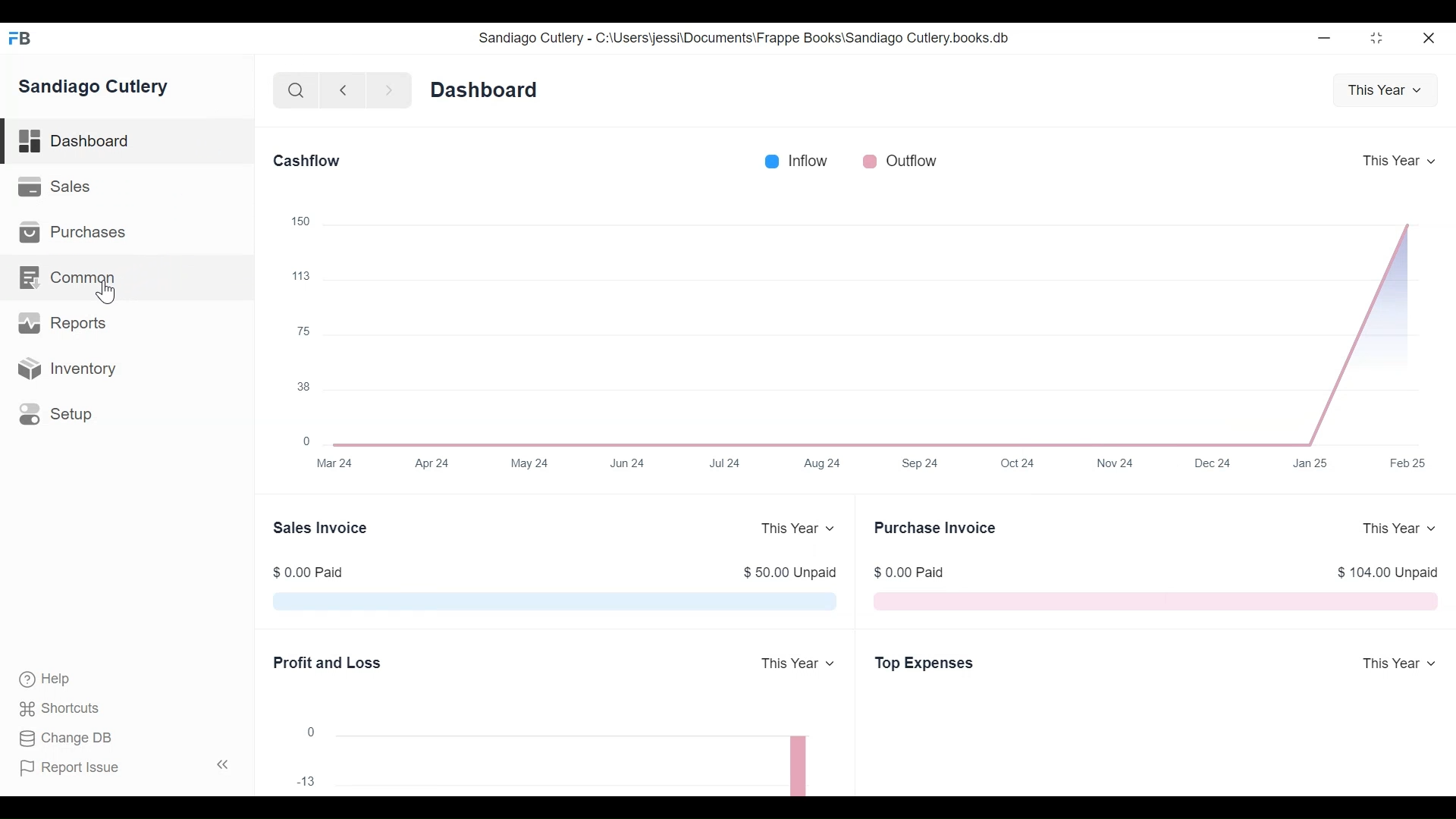  Describe the element at coordinates (1157, 602) in the screenshot. I see `The Purchase Invoice chart shows the total outstanding amount that Sandiago Cutlery have to pay to their suppliers fortheir purchases` at that location.